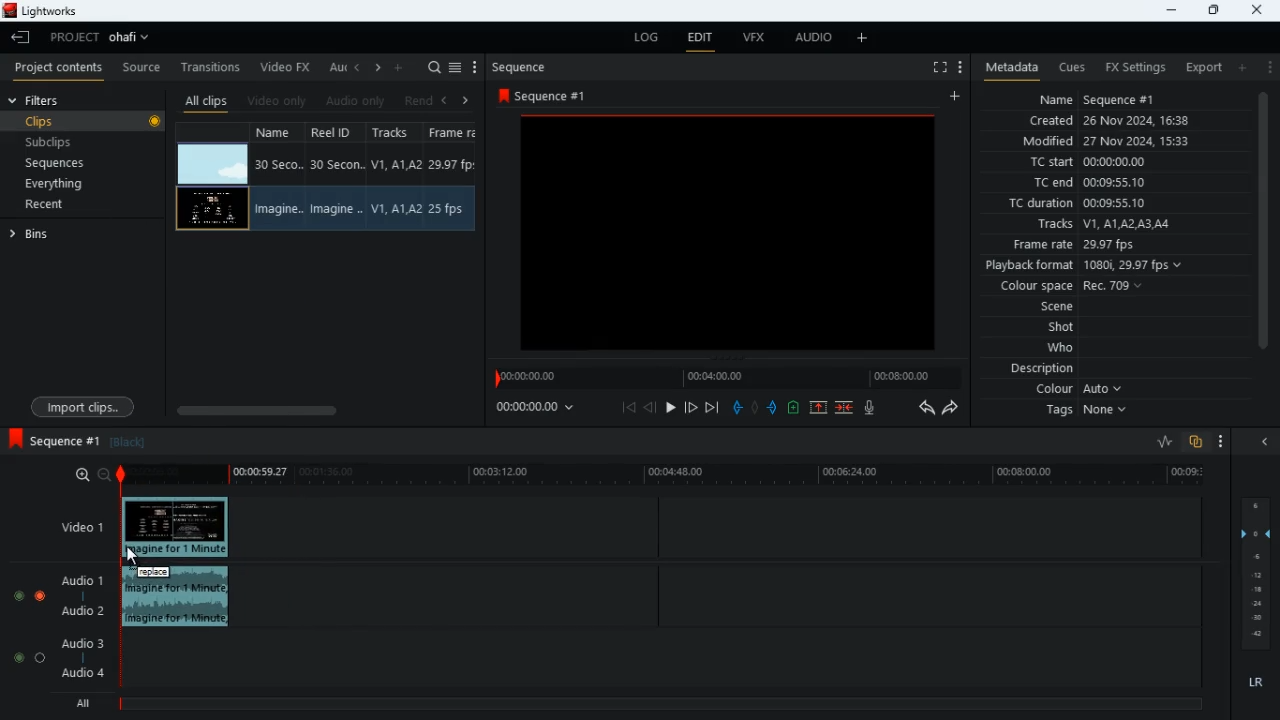 This screenshot has height=720, width=1280. I want to click on tags, so click(1083, 416).